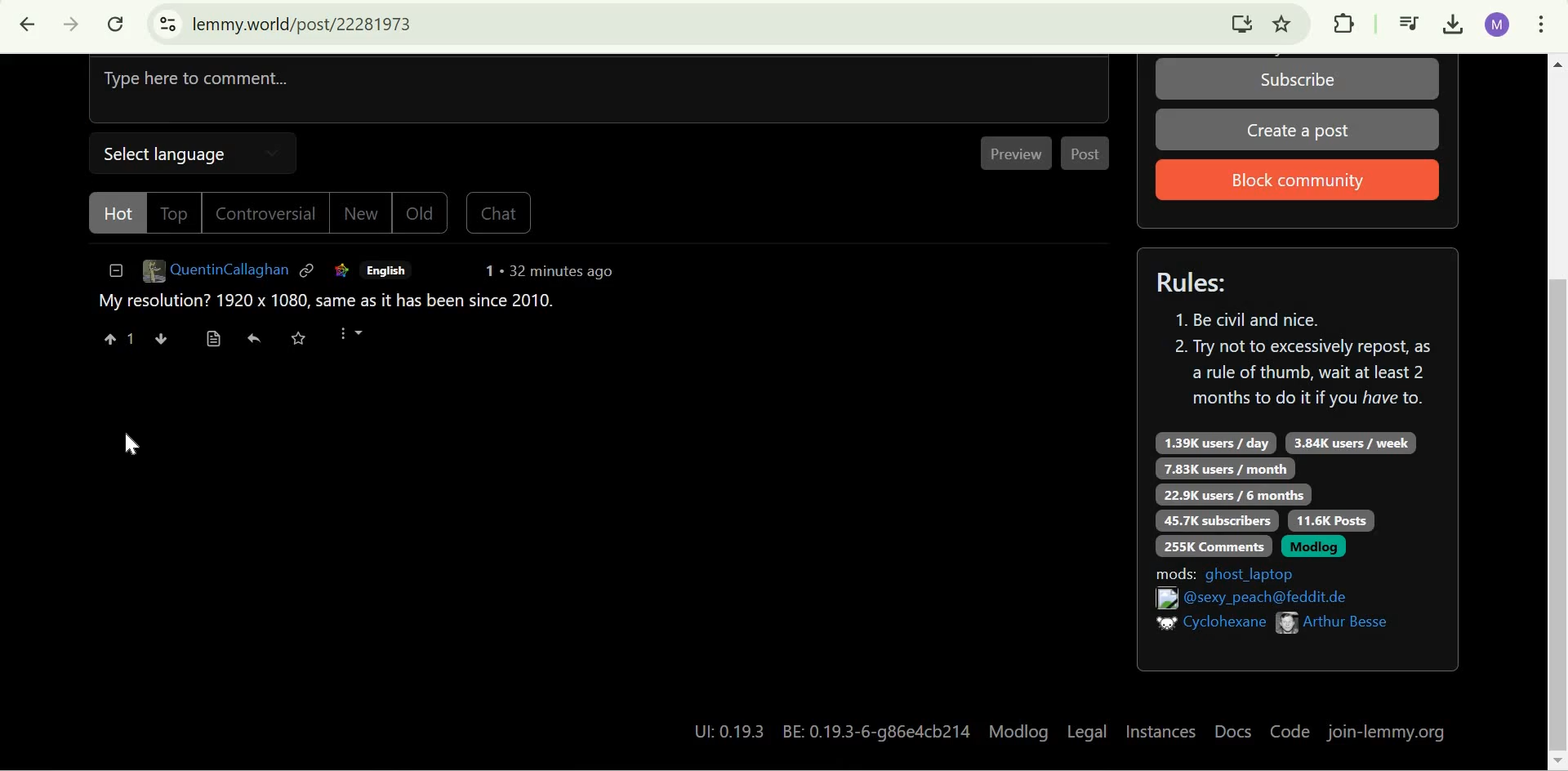  I want to click on cyclohexane, so click(1227, 622).